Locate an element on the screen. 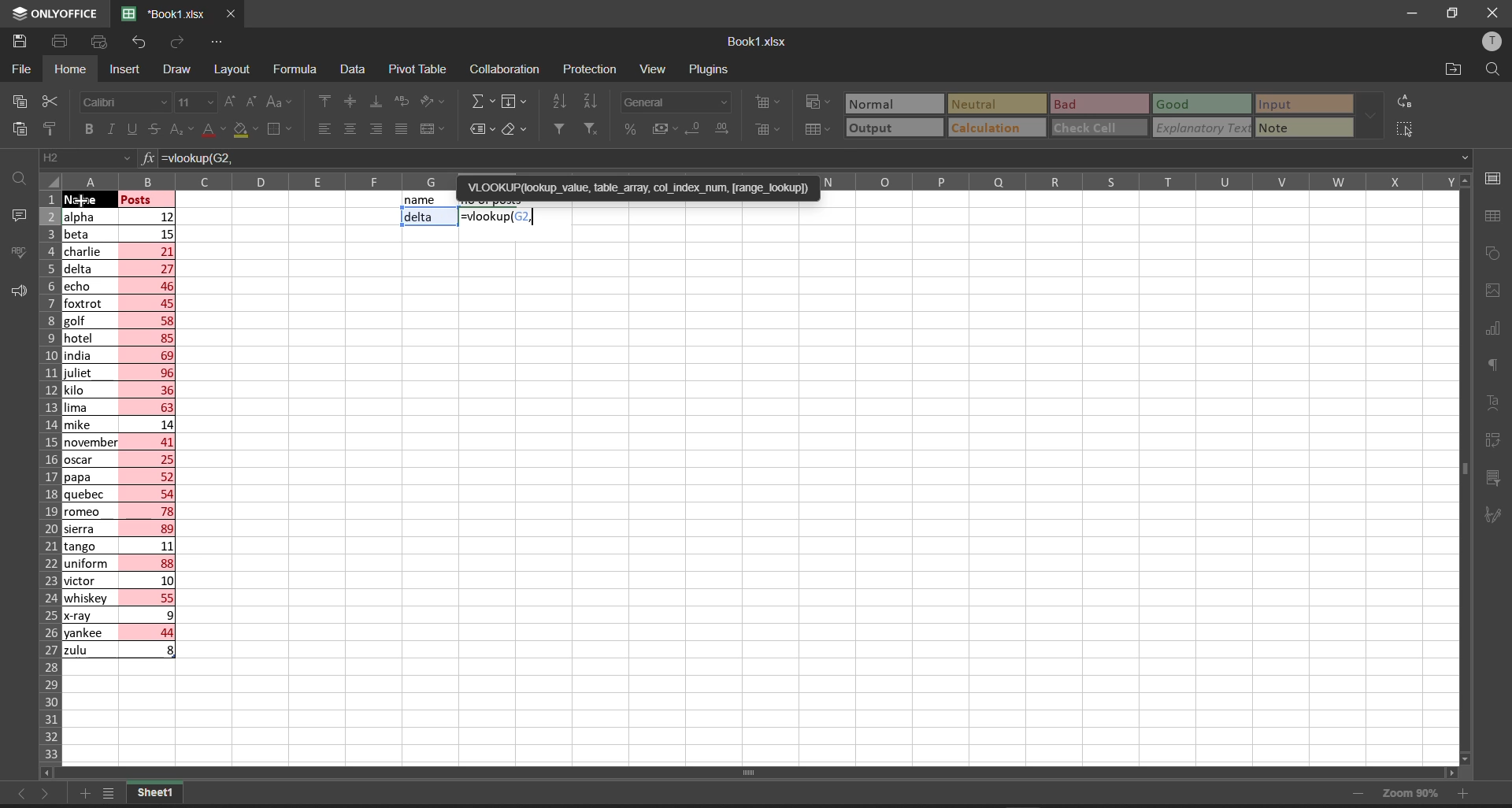  =vlookup(G2, is located at coordinates (499, 217).